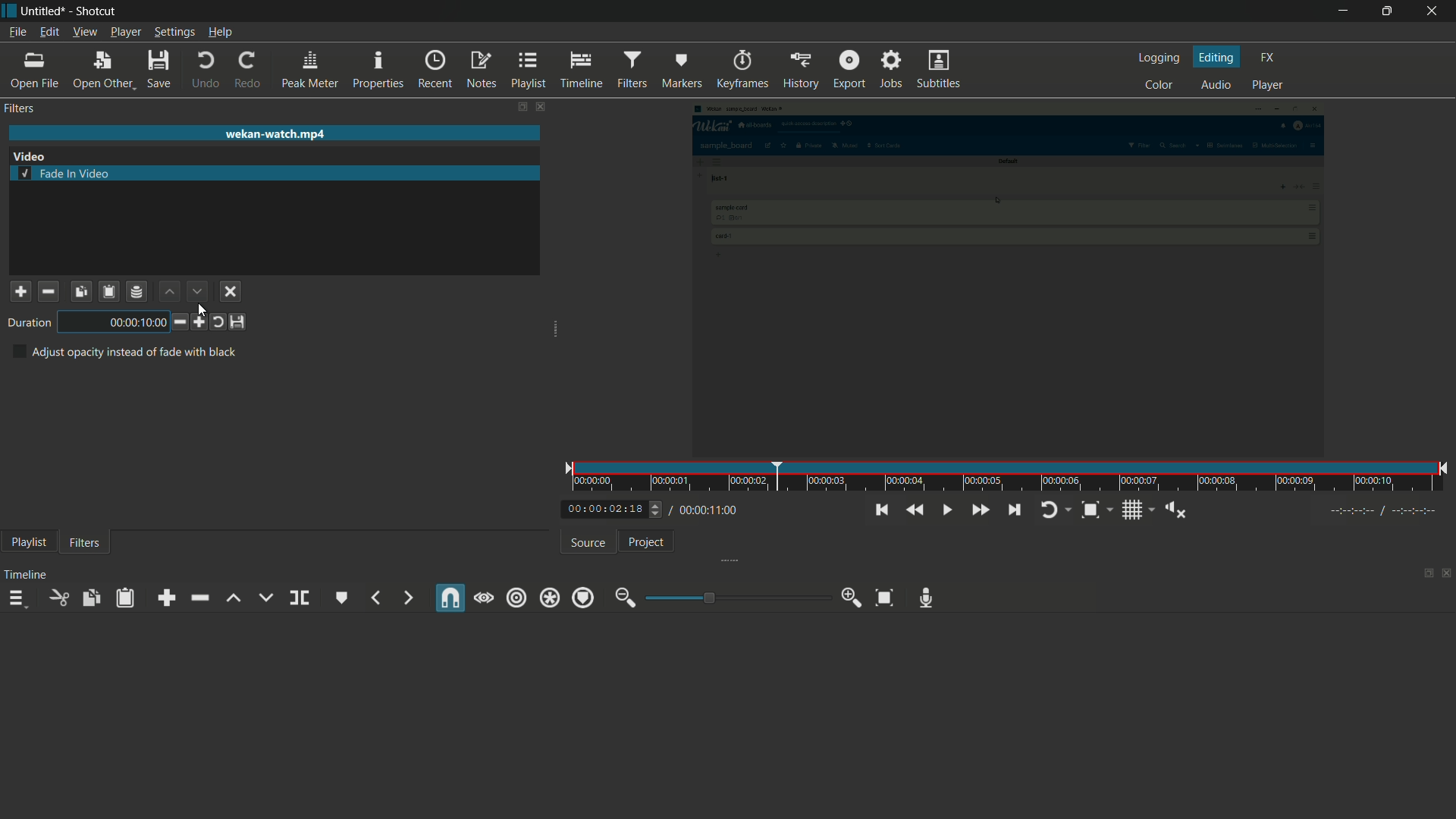  What do you see at coordinates (174, 32) in the screenshot?
I see `settings menu` at bounding box center [174, 32].